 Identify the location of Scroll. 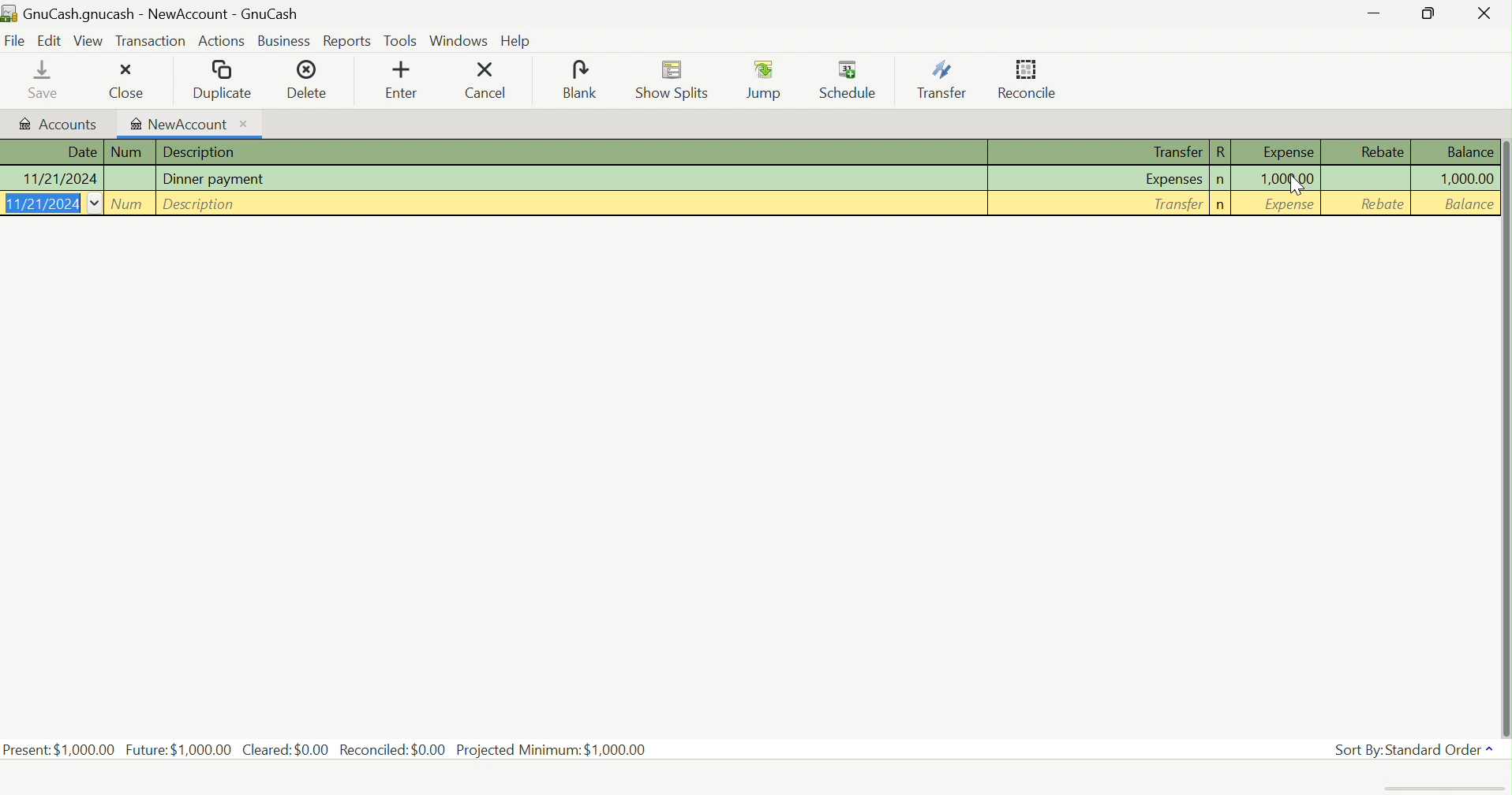
(1505, 423).